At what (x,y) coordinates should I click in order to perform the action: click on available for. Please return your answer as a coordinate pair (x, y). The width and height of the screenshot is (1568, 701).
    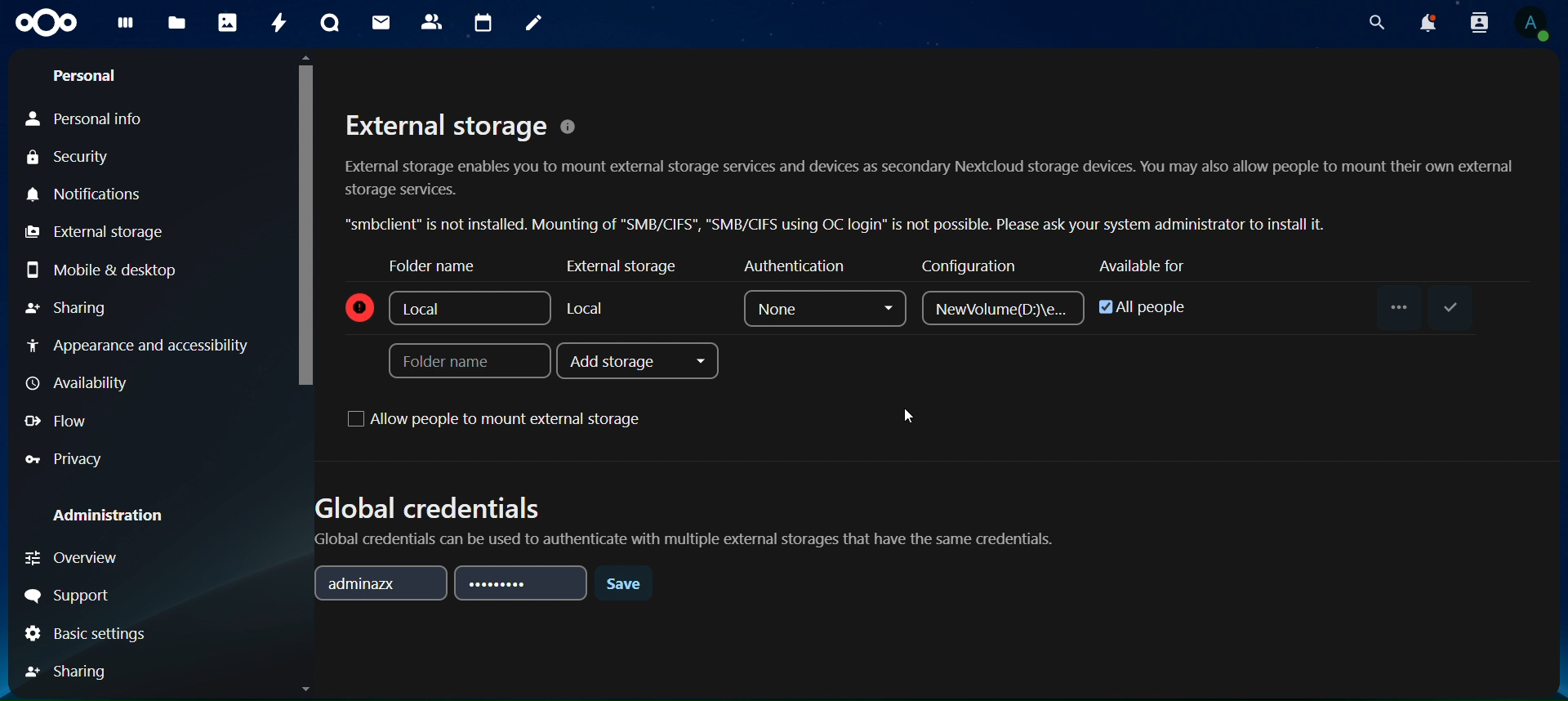
    Looking at the image, I should click on (1150, 265).